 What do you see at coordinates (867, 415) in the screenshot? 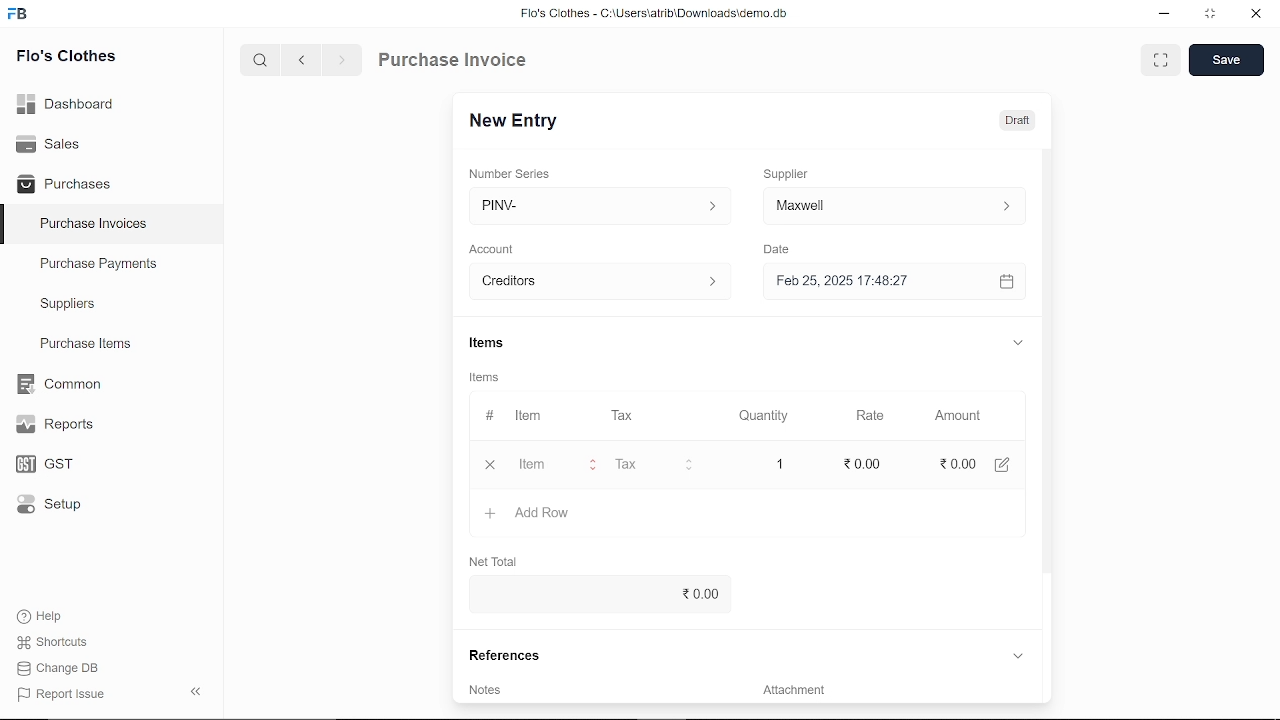
I see `Rate` at bounding box center [867, 415].